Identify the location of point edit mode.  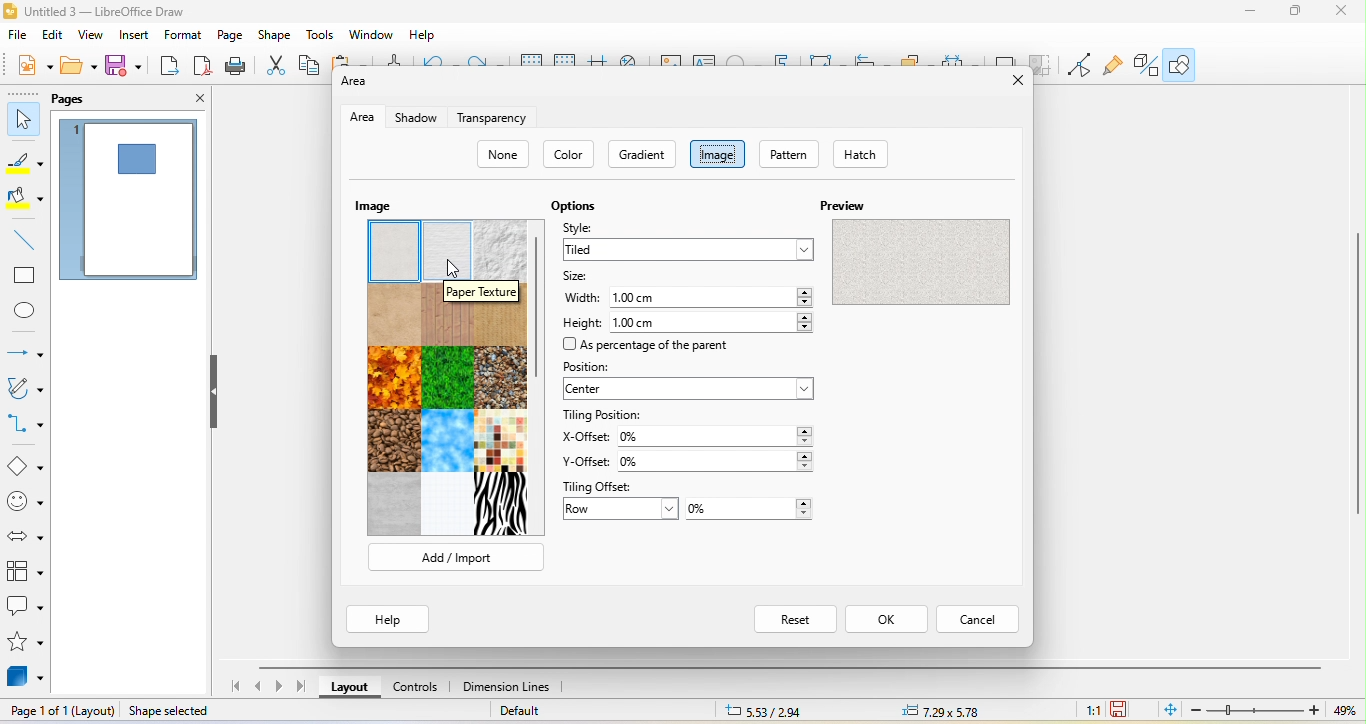
(1079, 65).